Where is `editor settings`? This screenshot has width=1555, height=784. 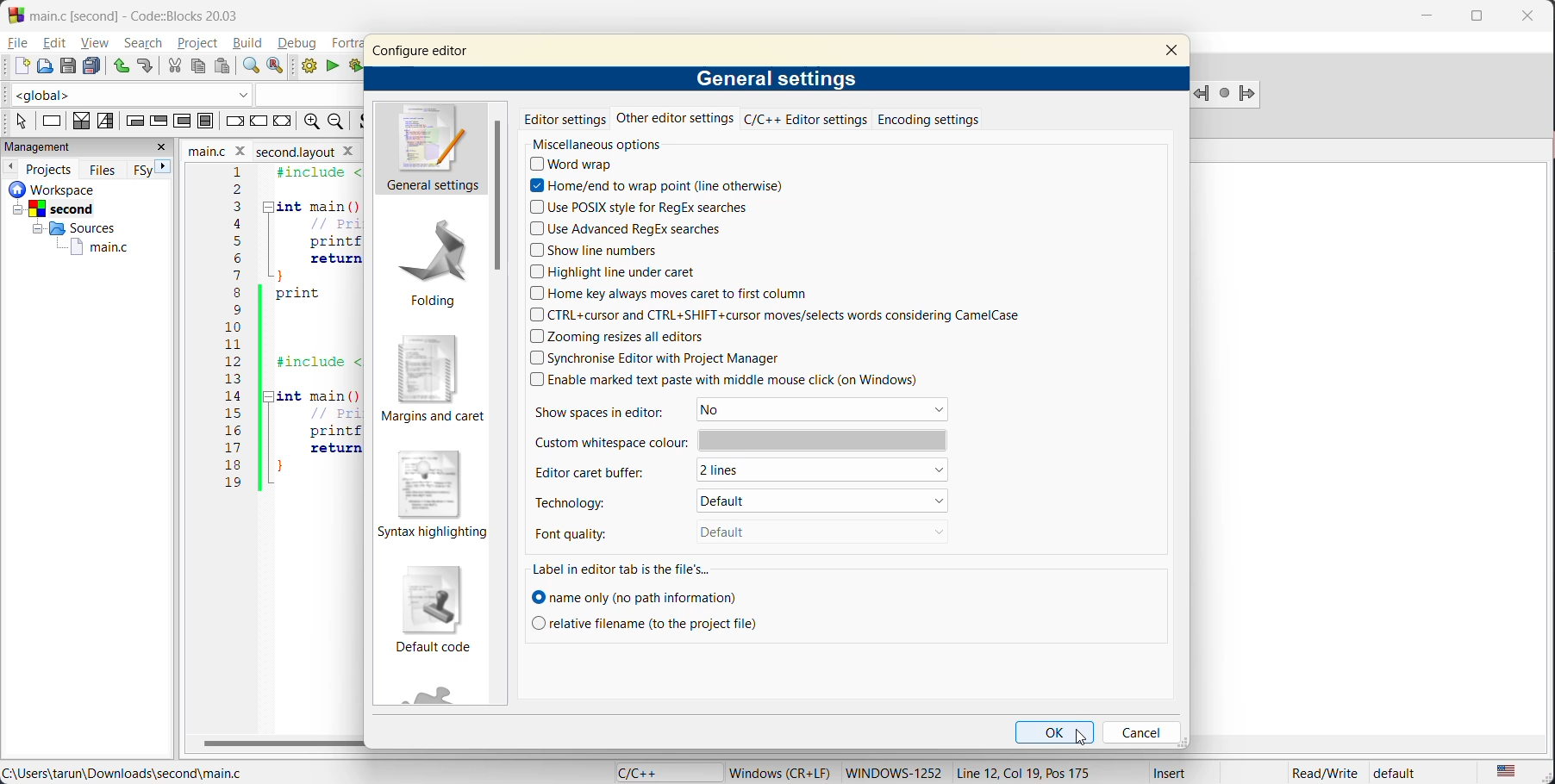 editor settings is located at coordinates (565, 120).